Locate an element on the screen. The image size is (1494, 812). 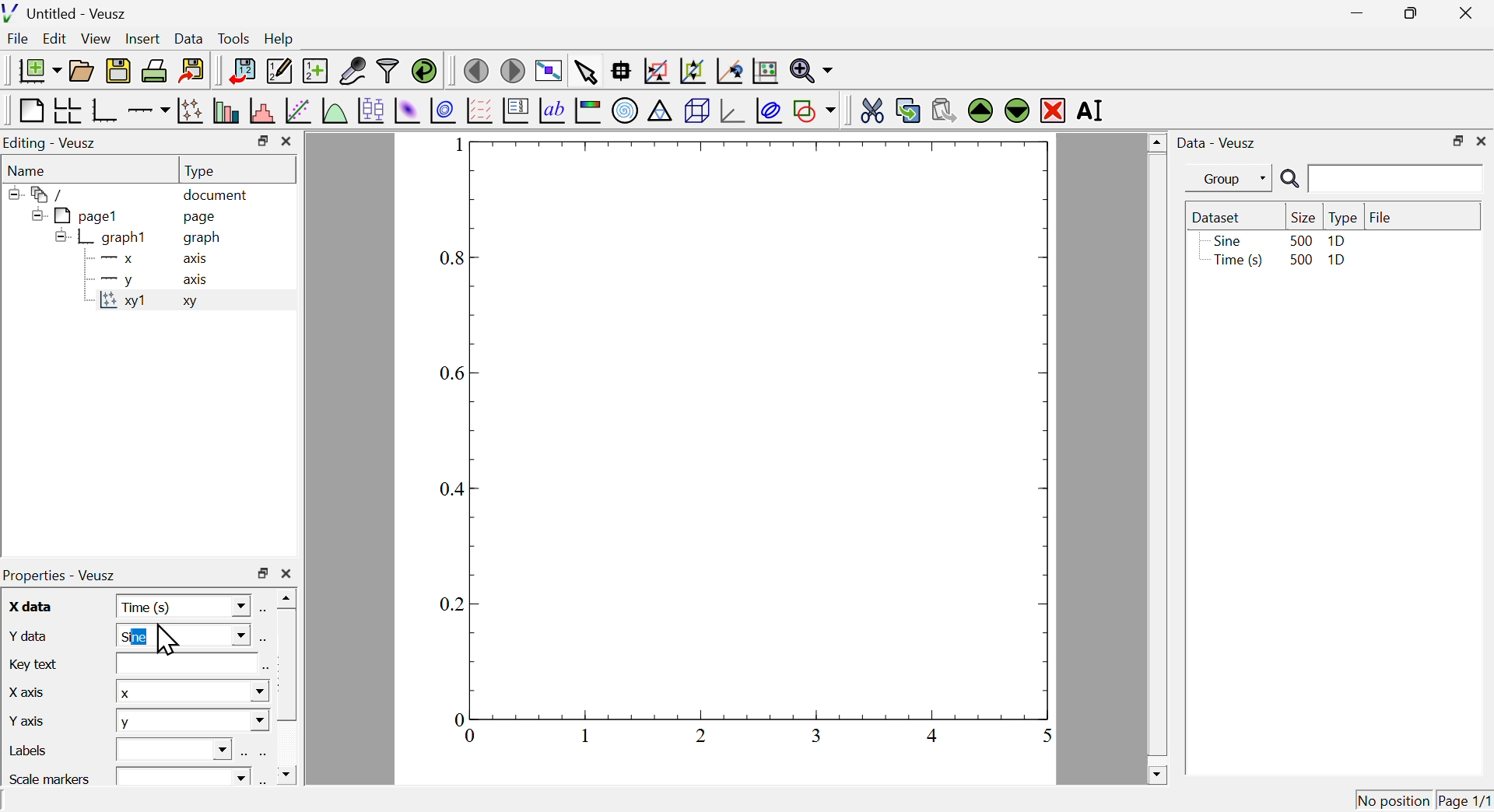
0.8 is located at coordinates (454, 259).